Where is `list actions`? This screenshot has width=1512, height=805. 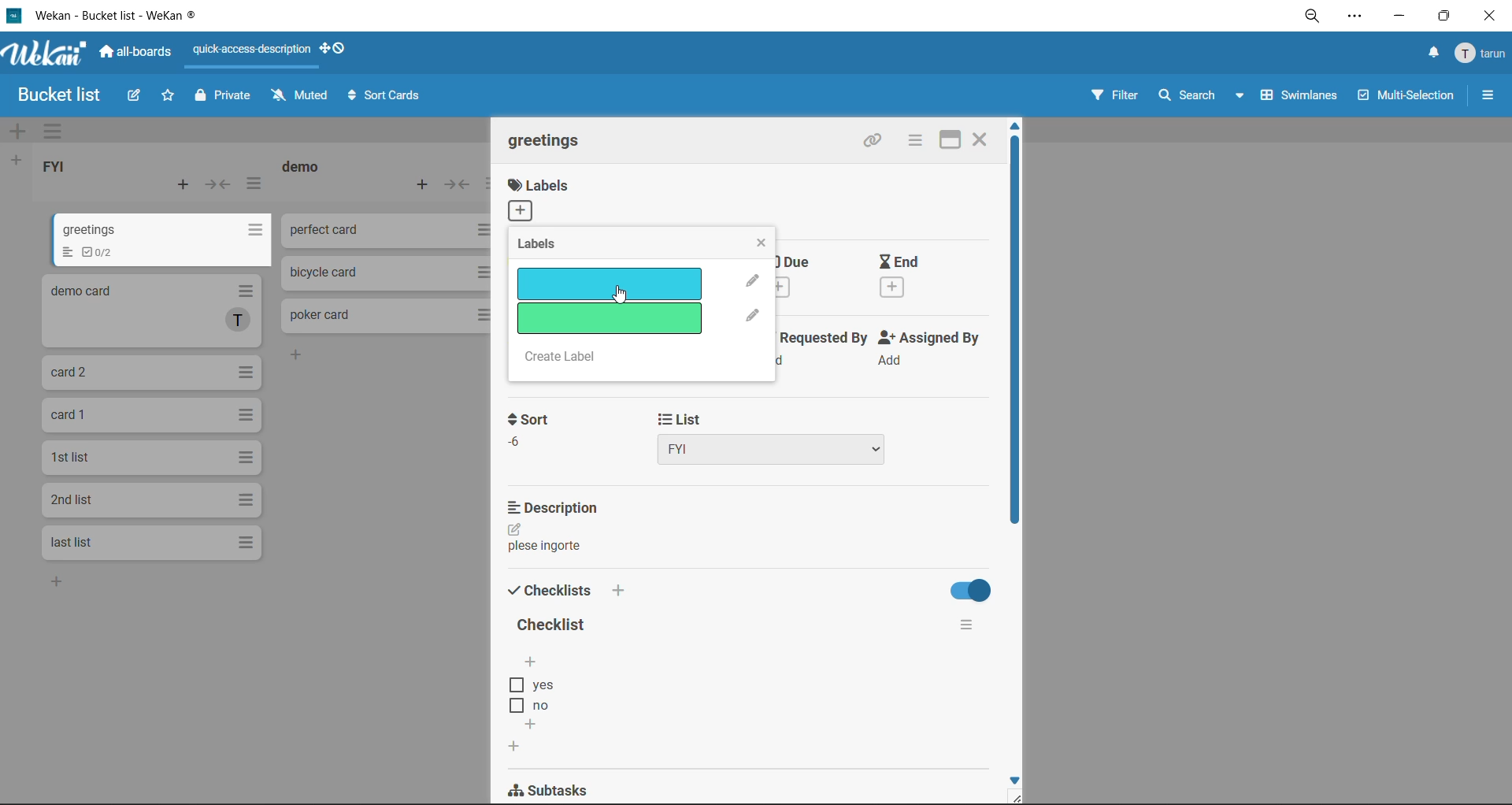 list actions is located at coordinates (254, 184).